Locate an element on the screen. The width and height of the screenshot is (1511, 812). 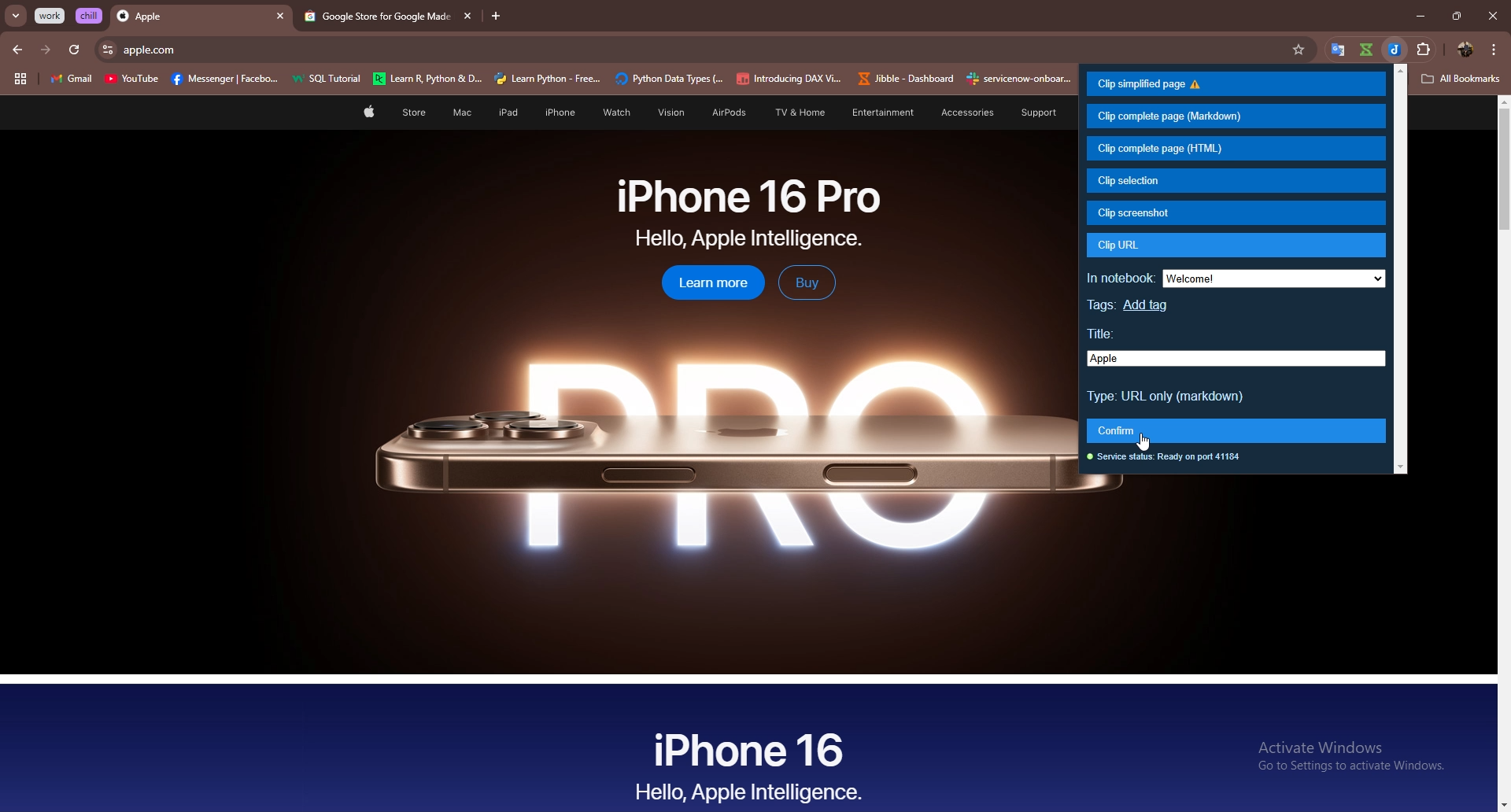
clip url is located at coordinates (1235, 245).